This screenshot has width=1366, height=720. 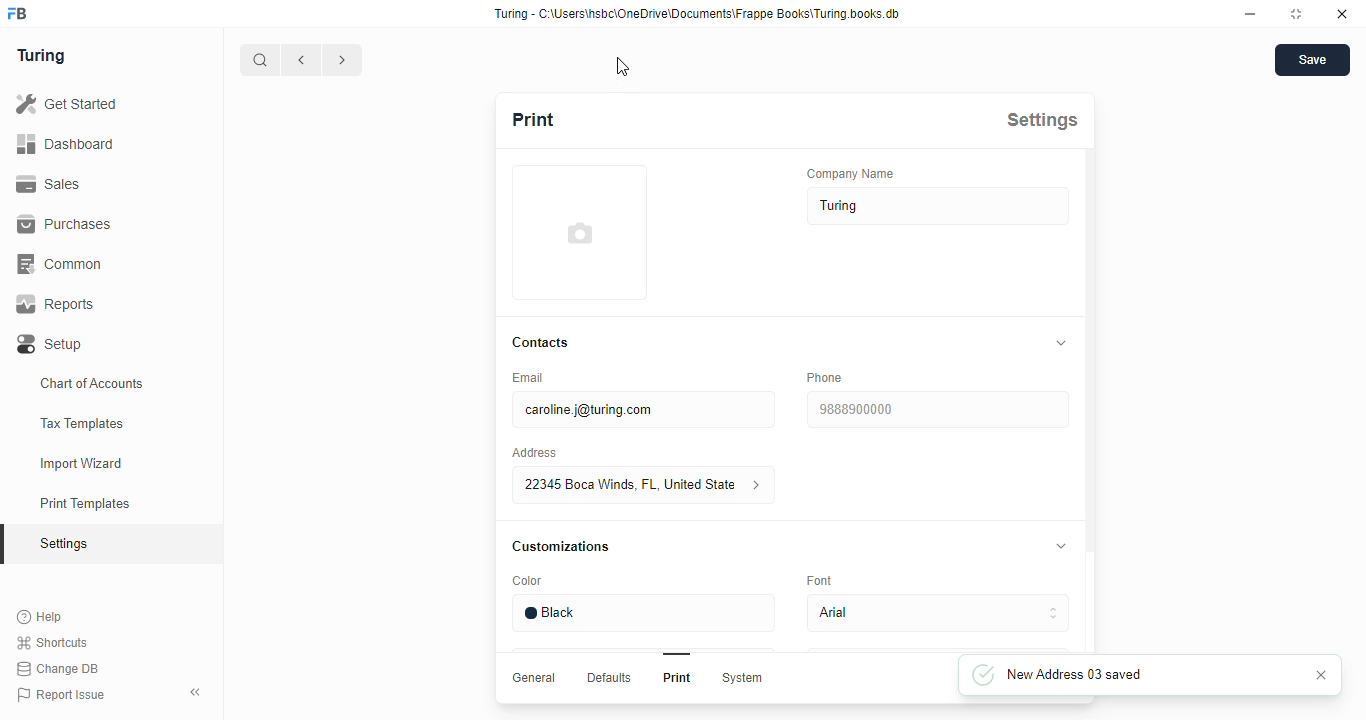 I want to click on toggle expand/collapse, so click(x=1062, y=343).